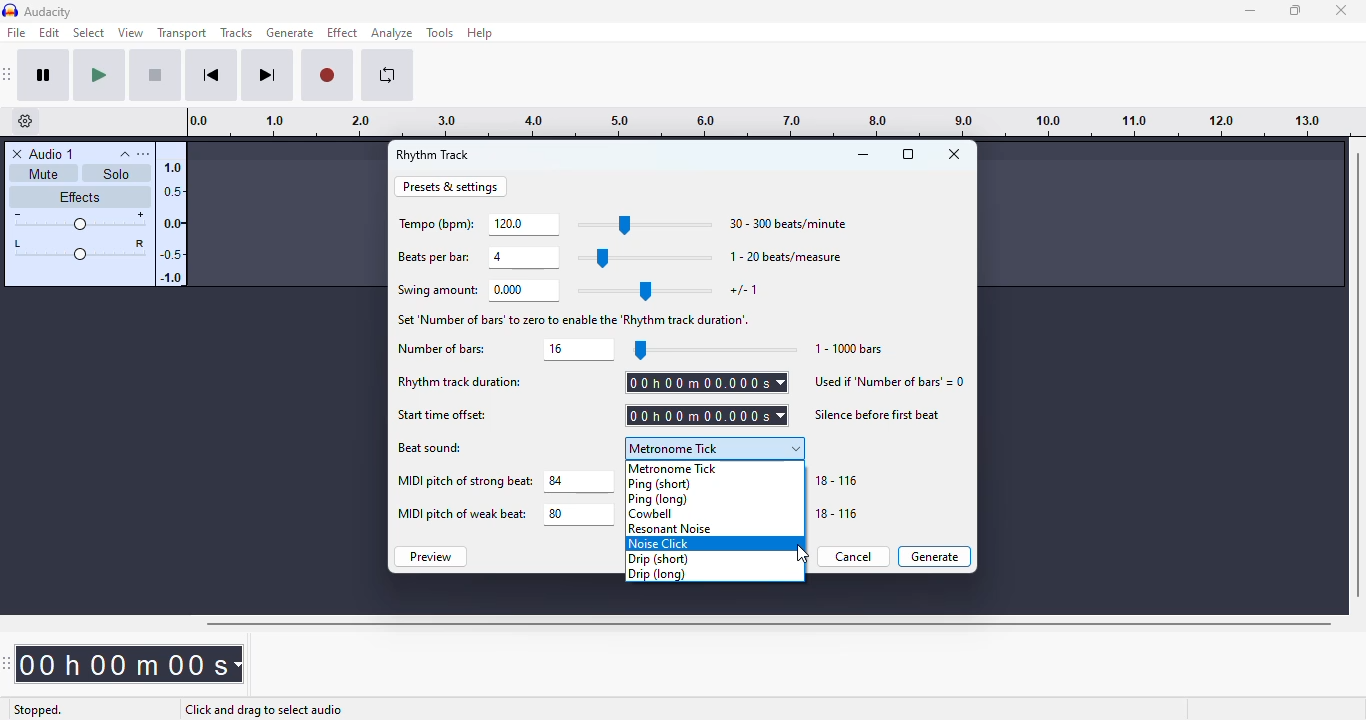 Image resolution: width=1366 pixels, height=720 pixels. What do you see at coordinates (44, 75) in the screenshot?
I see `pause` at bounding box center [44, 75].